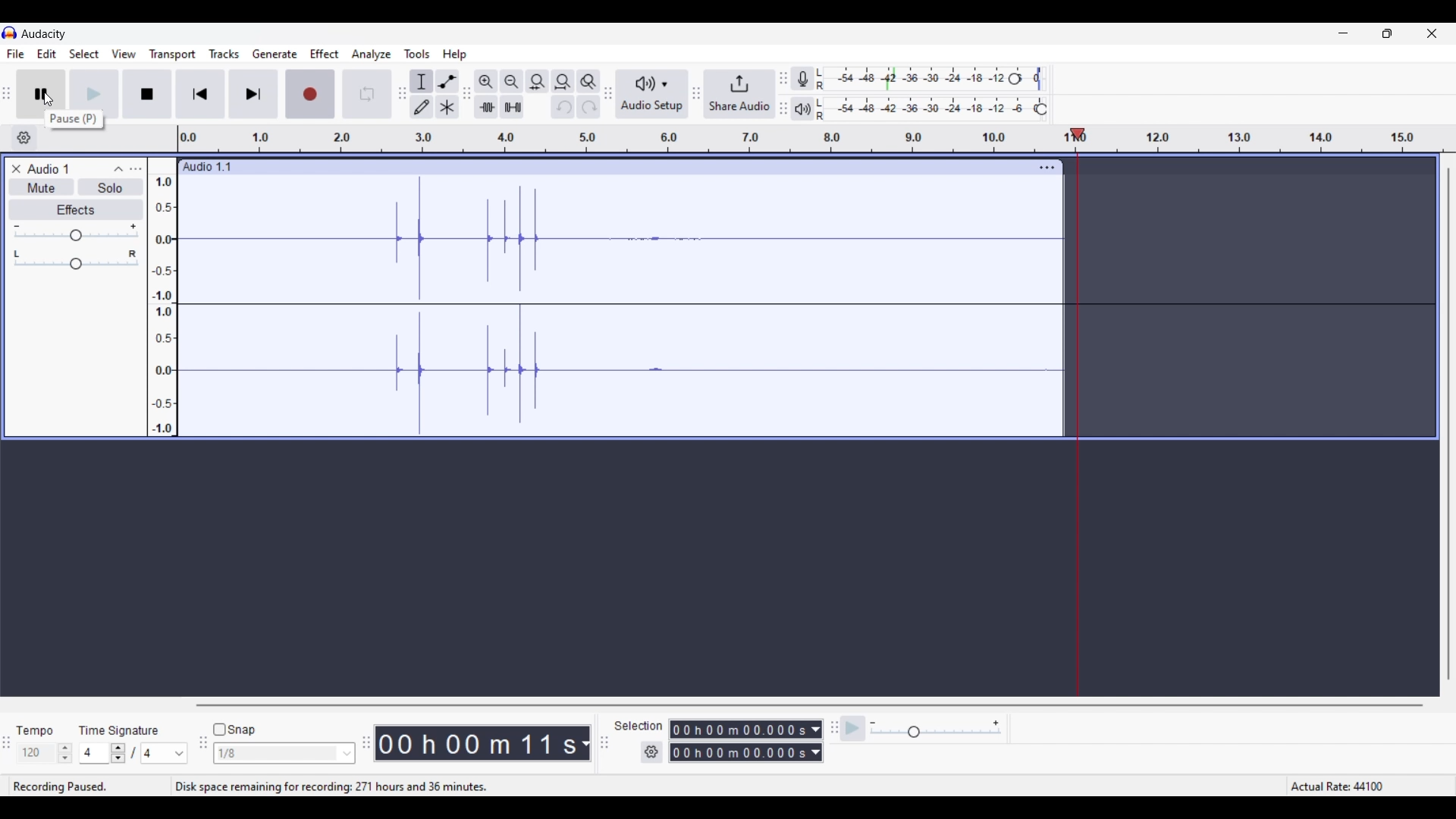 The width and height of the screenshot is (1456, 819). Describe the element at coordinates (454, 55) in the screenshot. I see `Help menu` at that location.